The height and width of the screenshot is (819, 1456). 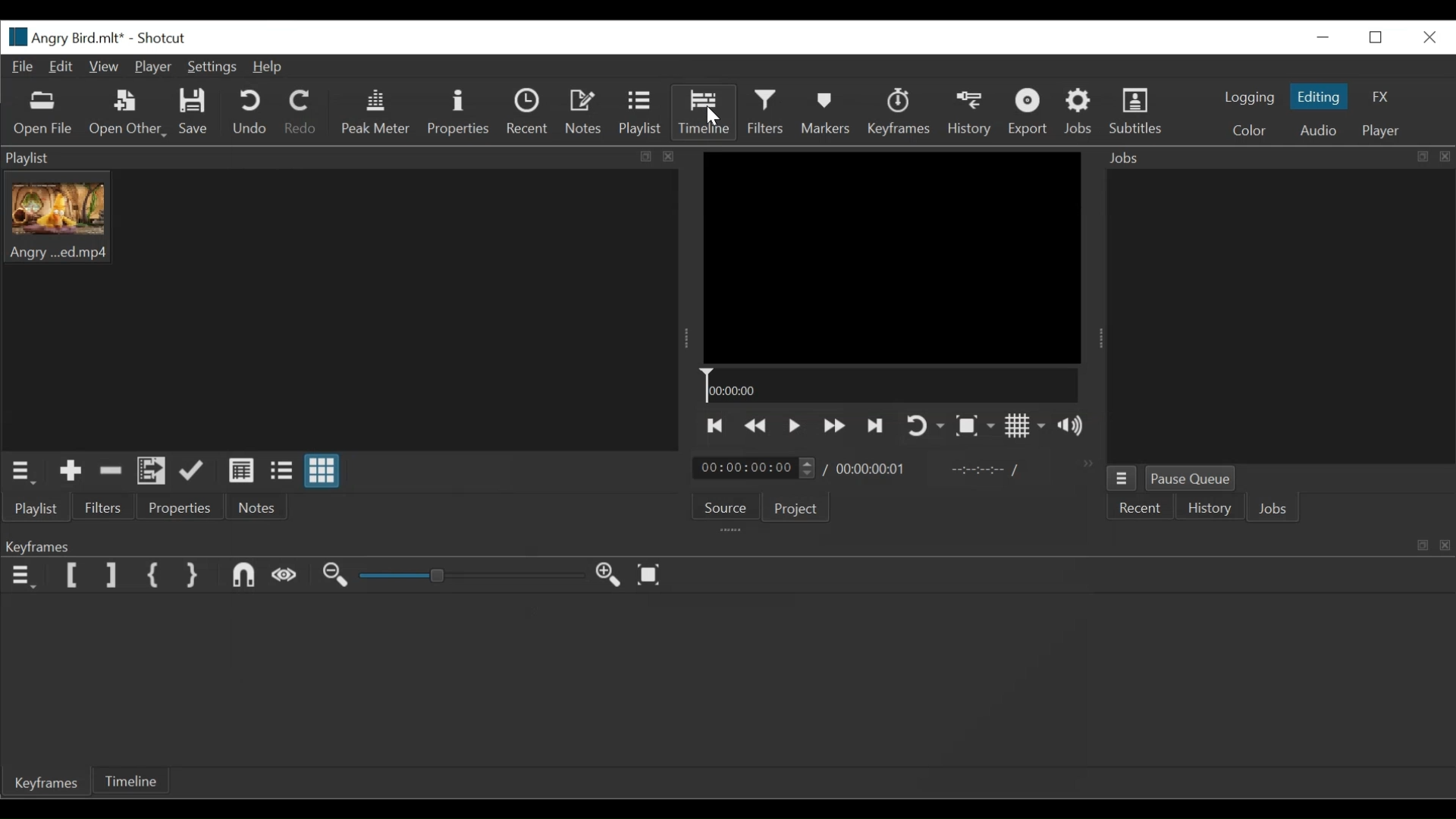 What do you see at coordinates (243, 578) in the screenshot?
I see `Snap` at bounding box center [243, 578].